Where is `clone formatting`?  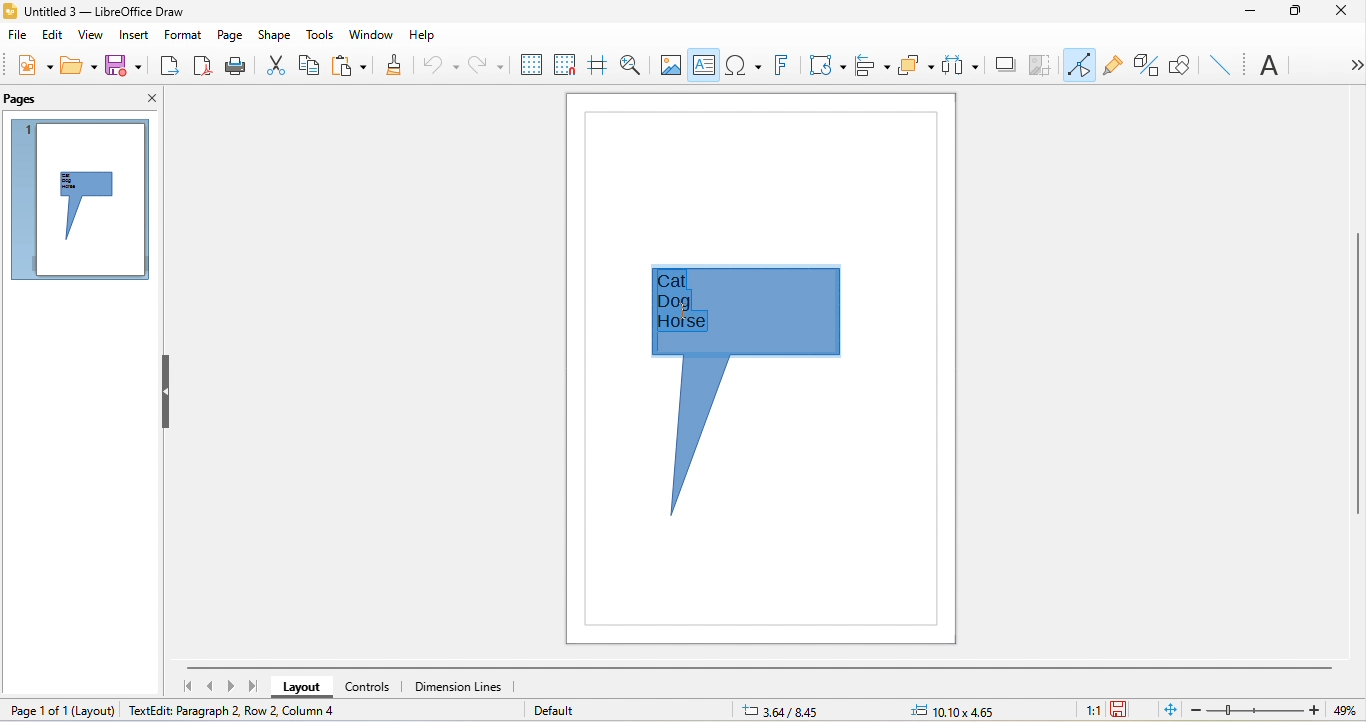
clone formatting is located at coordinates (389, 67).